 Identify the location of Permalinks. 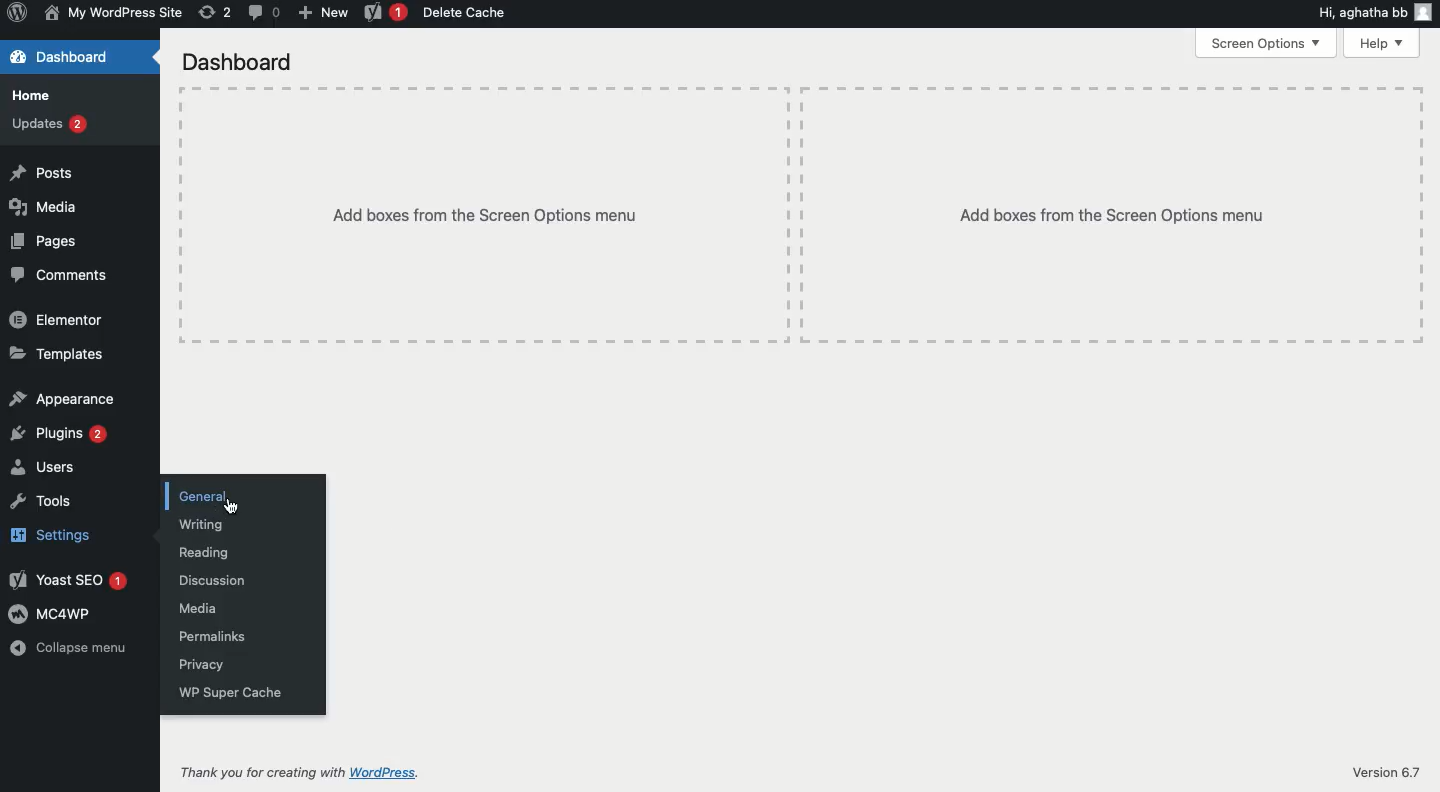
(208, 636).